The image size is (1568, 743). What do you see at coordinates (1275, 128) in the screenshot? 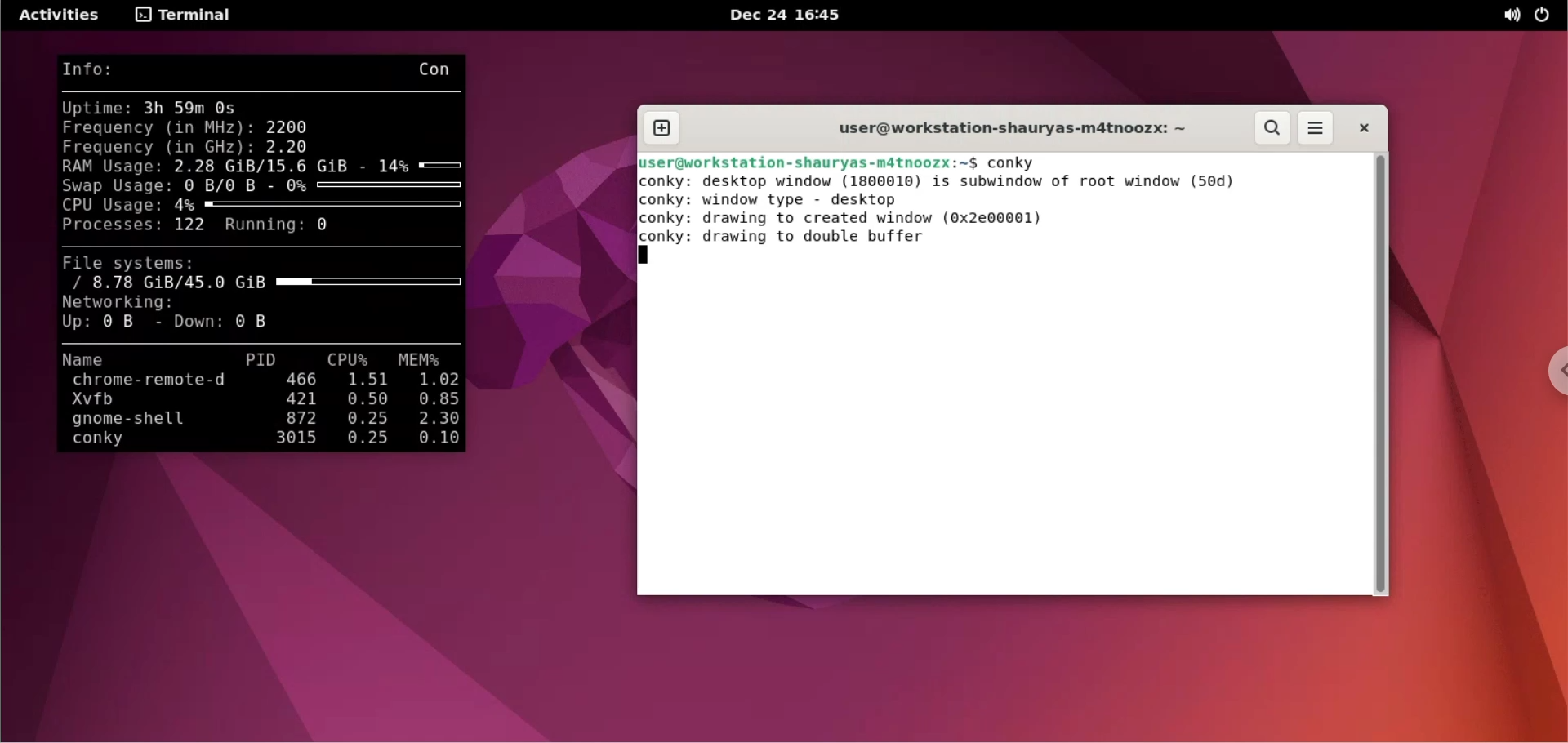
I see `search ` at bounding box center [1275, 128].